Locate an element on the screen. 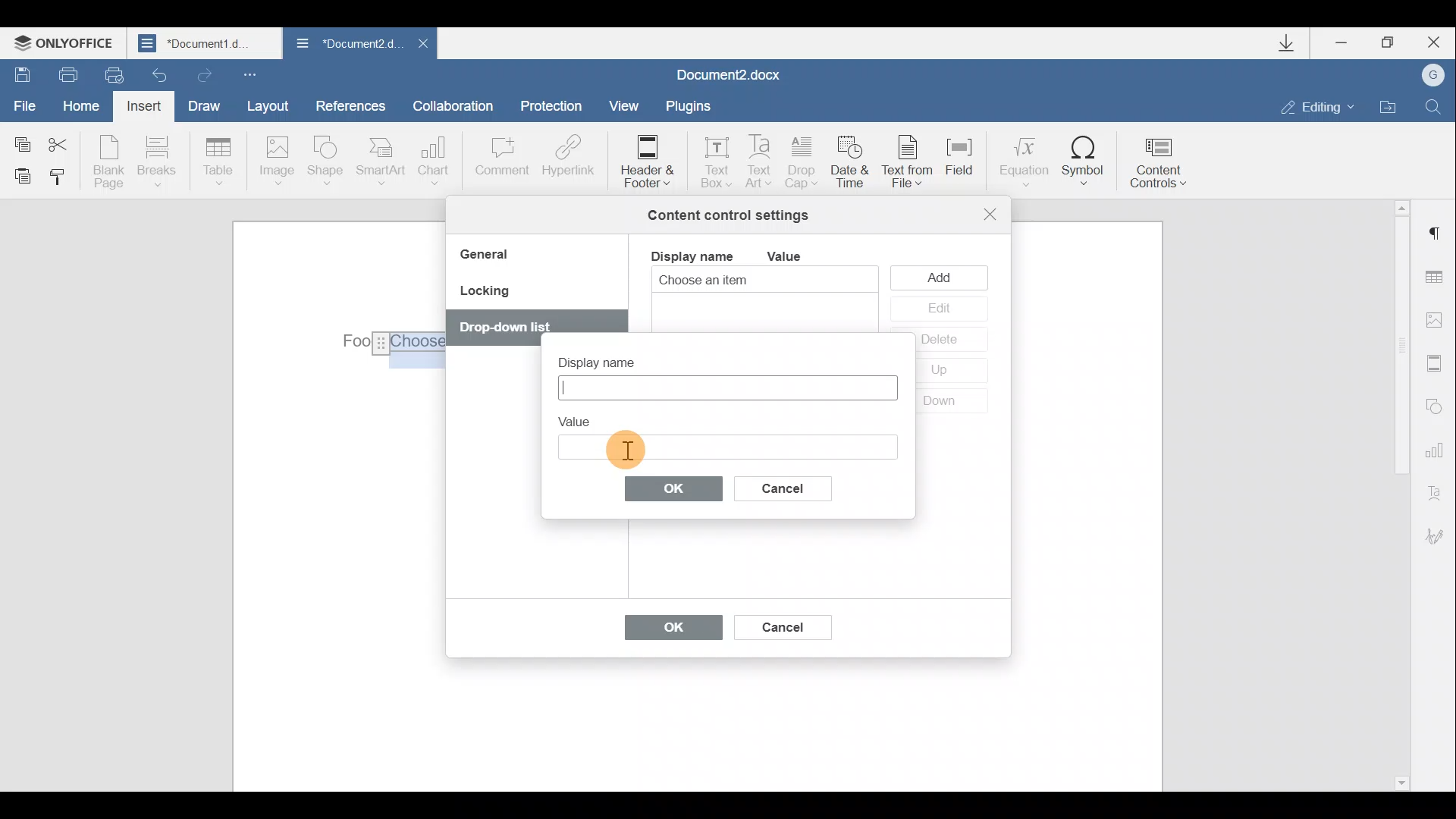 Image resolution: width=1456 pixels, height=819 pixels. Text from file is located at coordinates (912, 163).